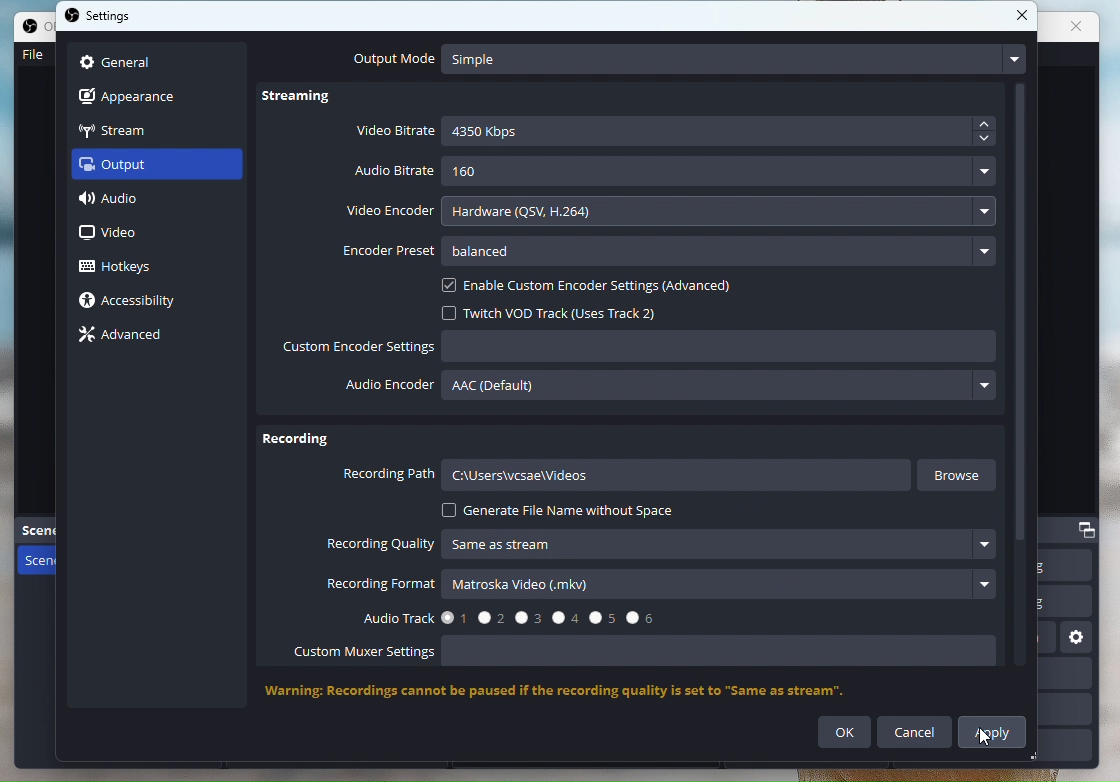 Image resolution: width=1120 pixels, height=782 pixels. What do you see at coordinates (296, 442) in the screenshot?
I see `Recording` at bounding box center [296, 442].